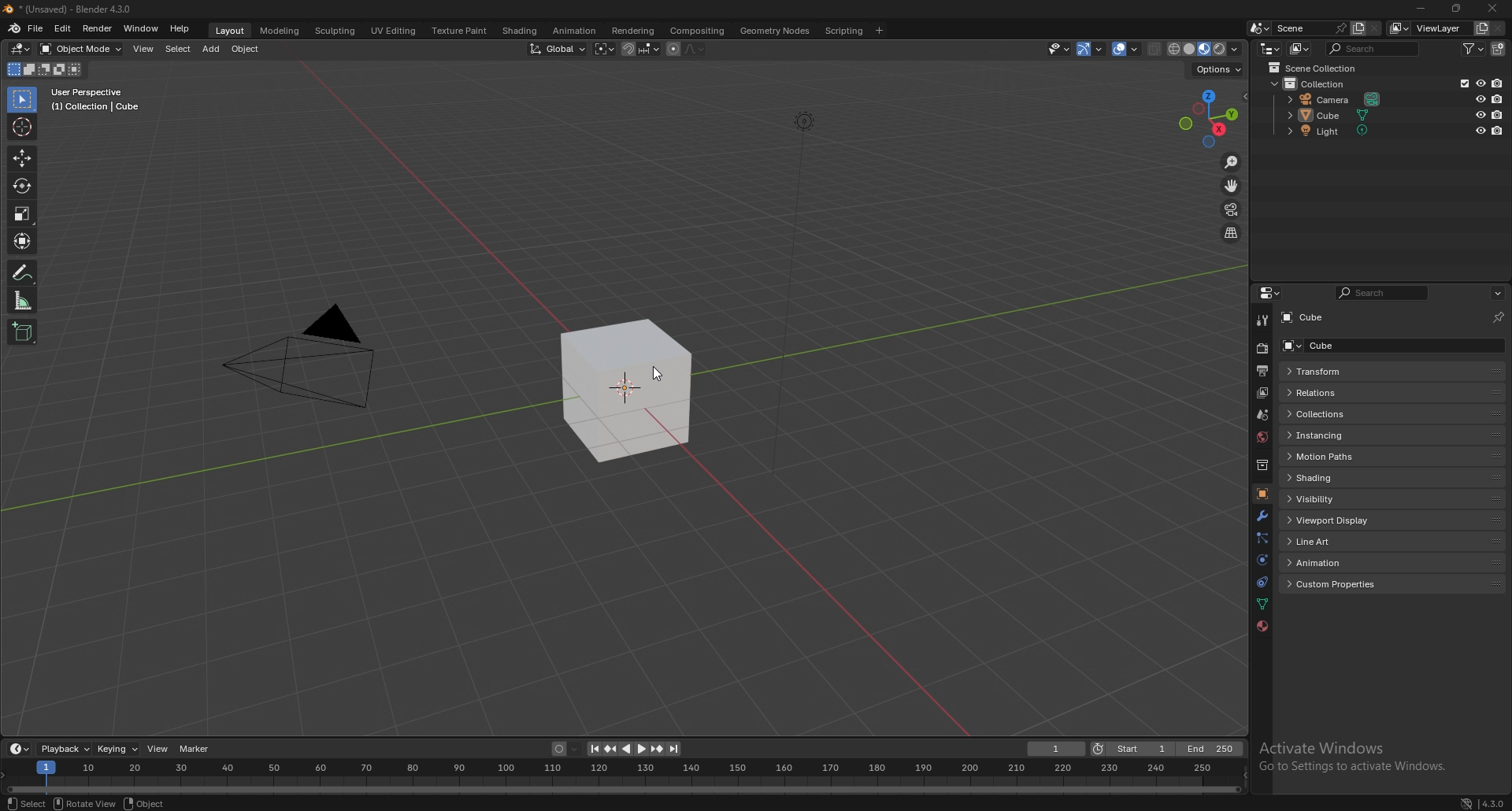 The height and width of the screenshot is (811, 1512). What do you see at coordinates (1336, 457) in the screenshot?
I see `motion paths` at bounding box center [1336, 457].